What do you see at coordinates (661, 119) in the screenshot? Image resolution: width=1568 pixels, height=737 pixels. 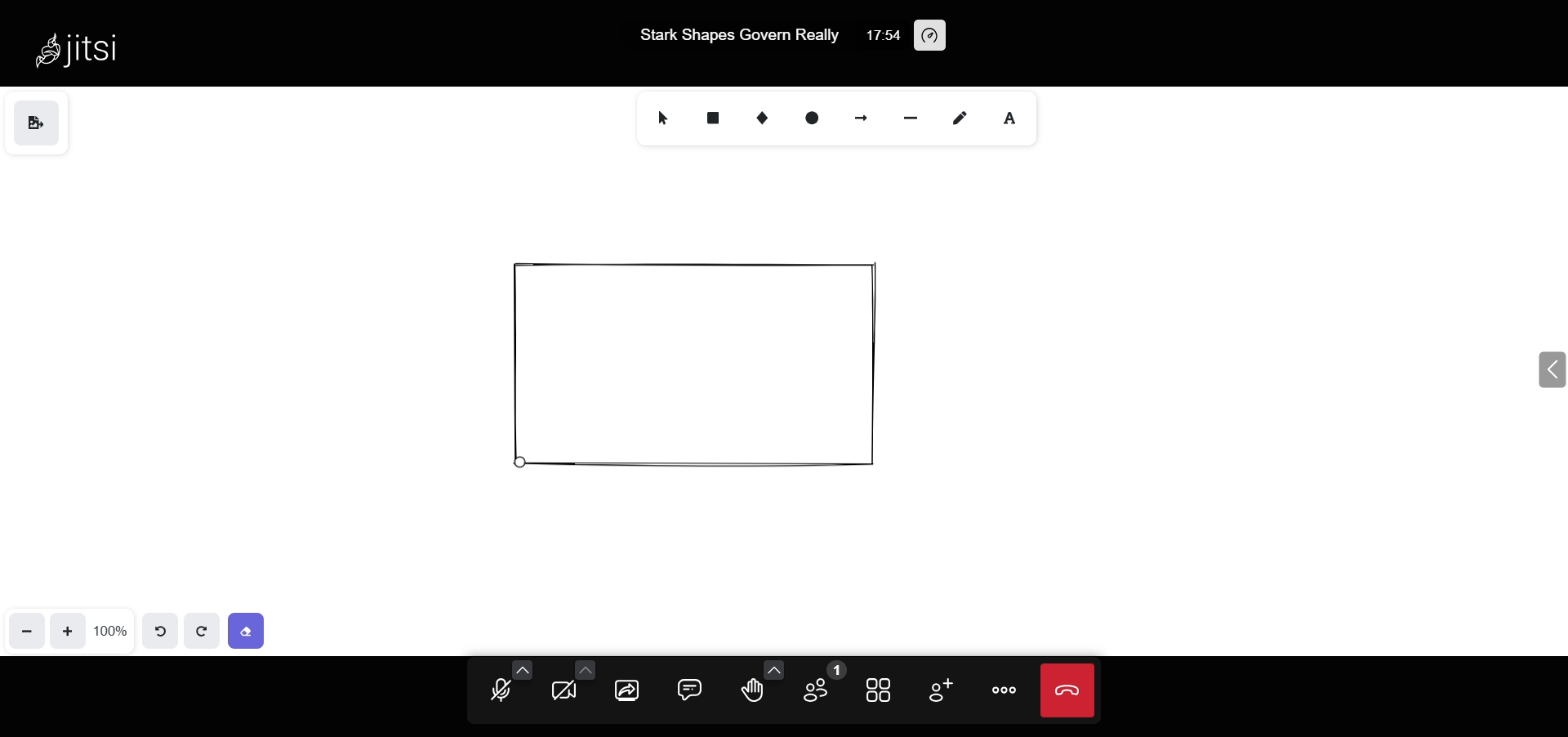 I see `select` at bounding box center [661, 119].